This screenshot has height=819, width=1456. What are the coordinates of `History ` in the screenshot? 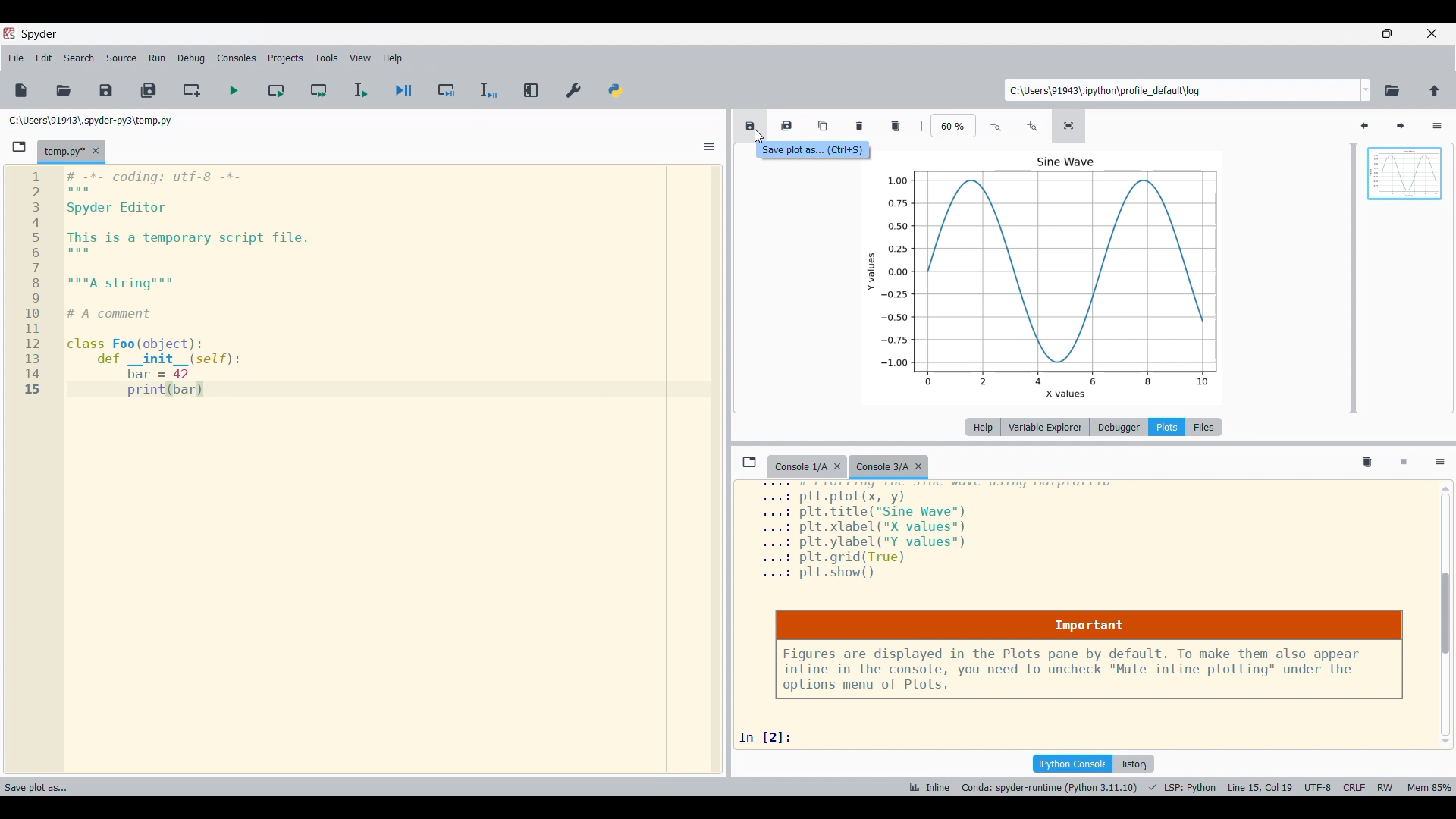 It's located at (1133, 764).